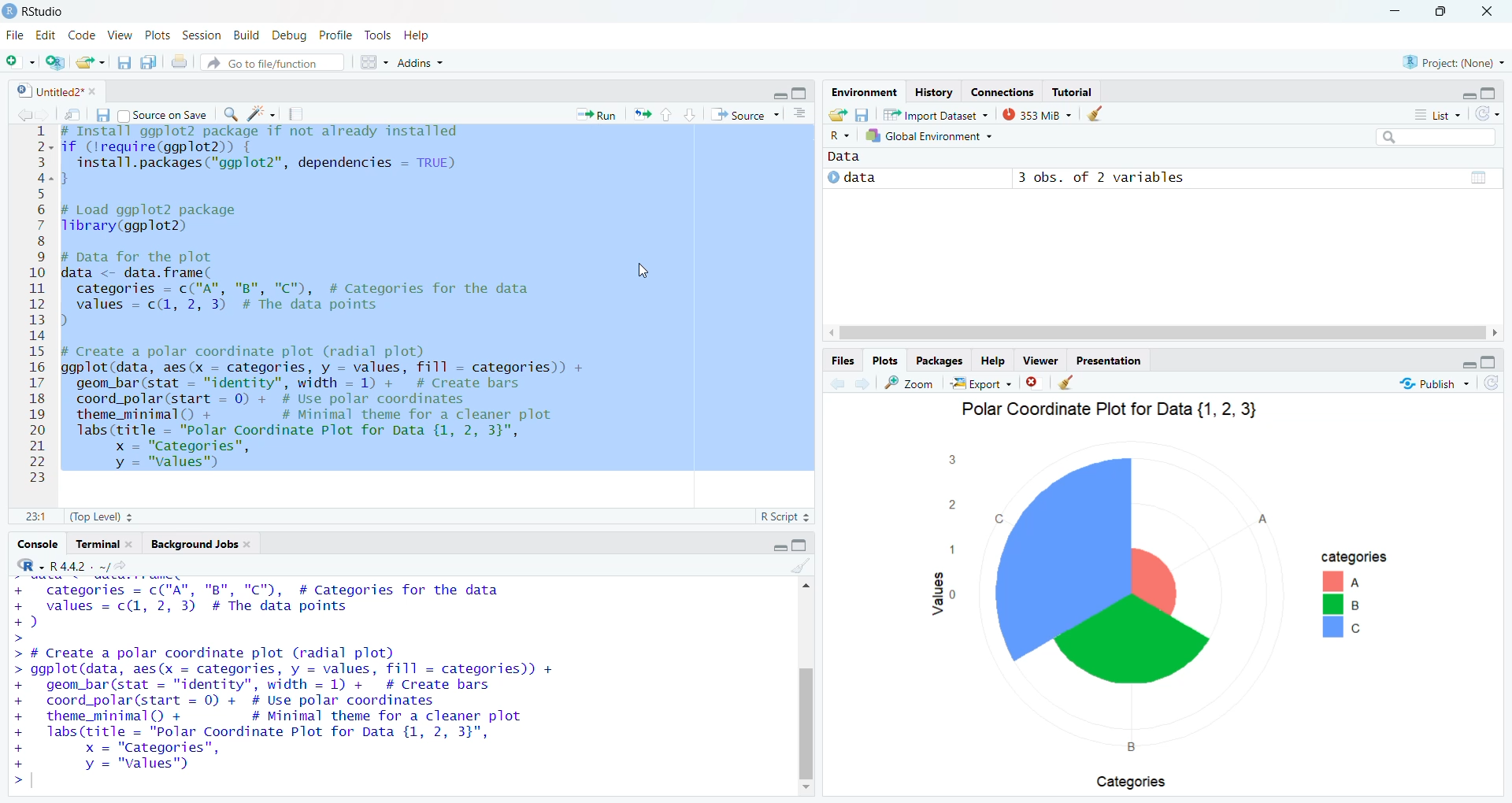 This screenshot has width=1512, height=803. What do you see at coordinates (119, 36) in the screenshot?
I see `View` at bounding box center [119, 36].